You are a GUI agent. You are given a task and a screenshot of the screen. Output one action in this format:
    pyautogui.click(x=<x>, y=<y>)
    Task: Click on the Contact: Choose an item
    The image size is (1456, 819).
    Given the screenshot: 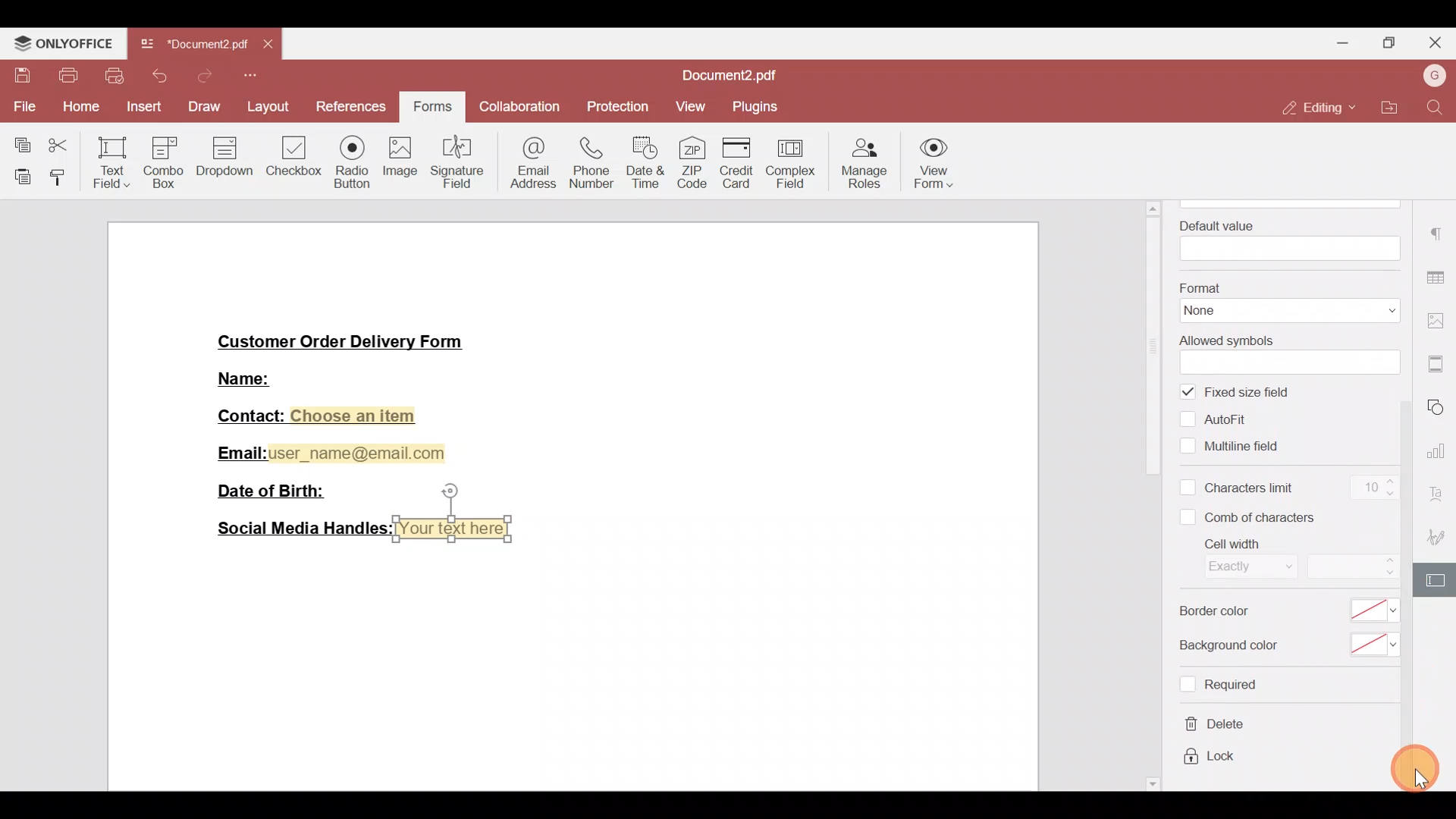 What is the action you would take?
    pyautogui.click(x=315, y=416)
    